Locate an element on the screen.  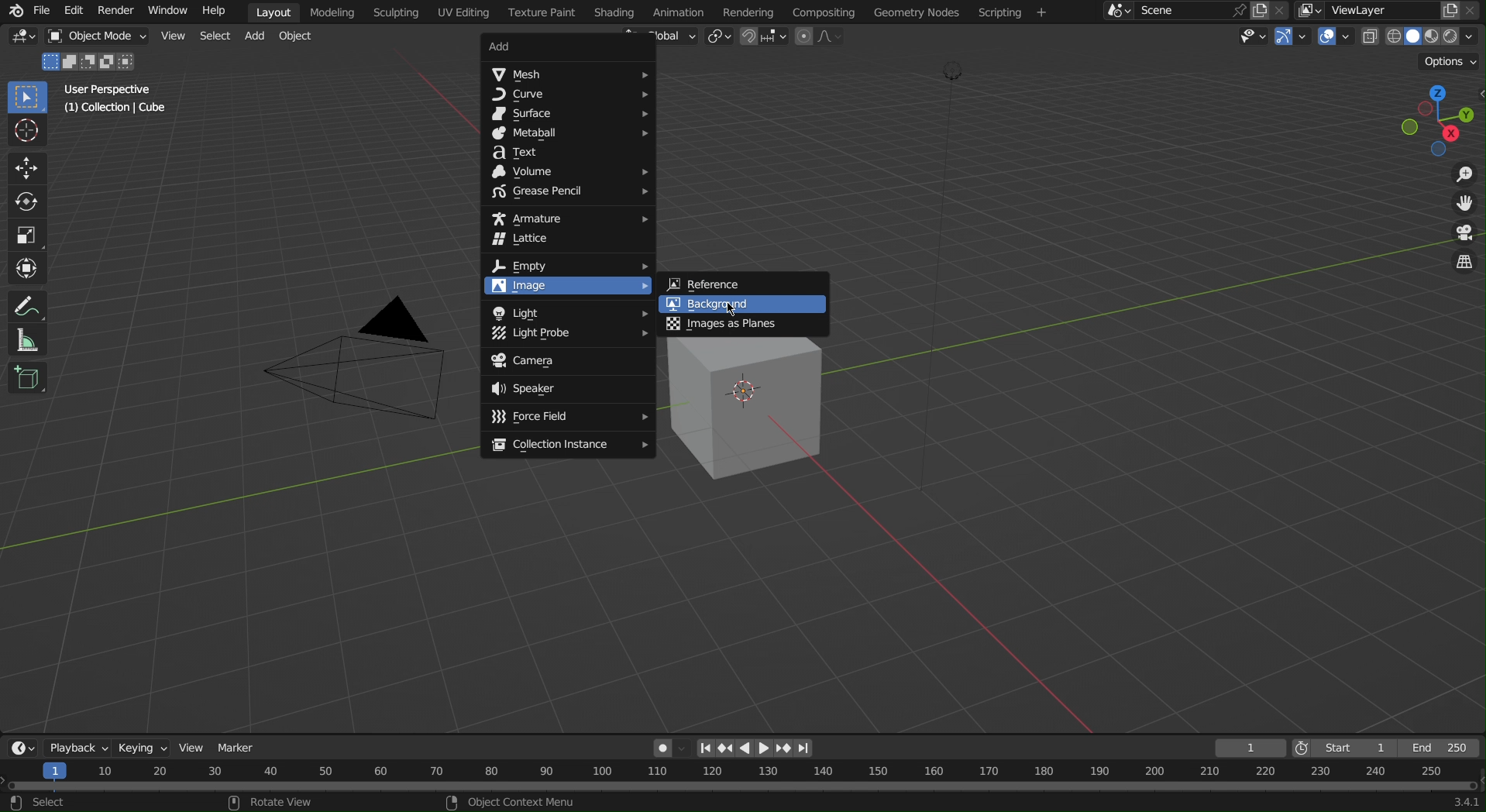
Zoom is located at coordinates (1462, 175).